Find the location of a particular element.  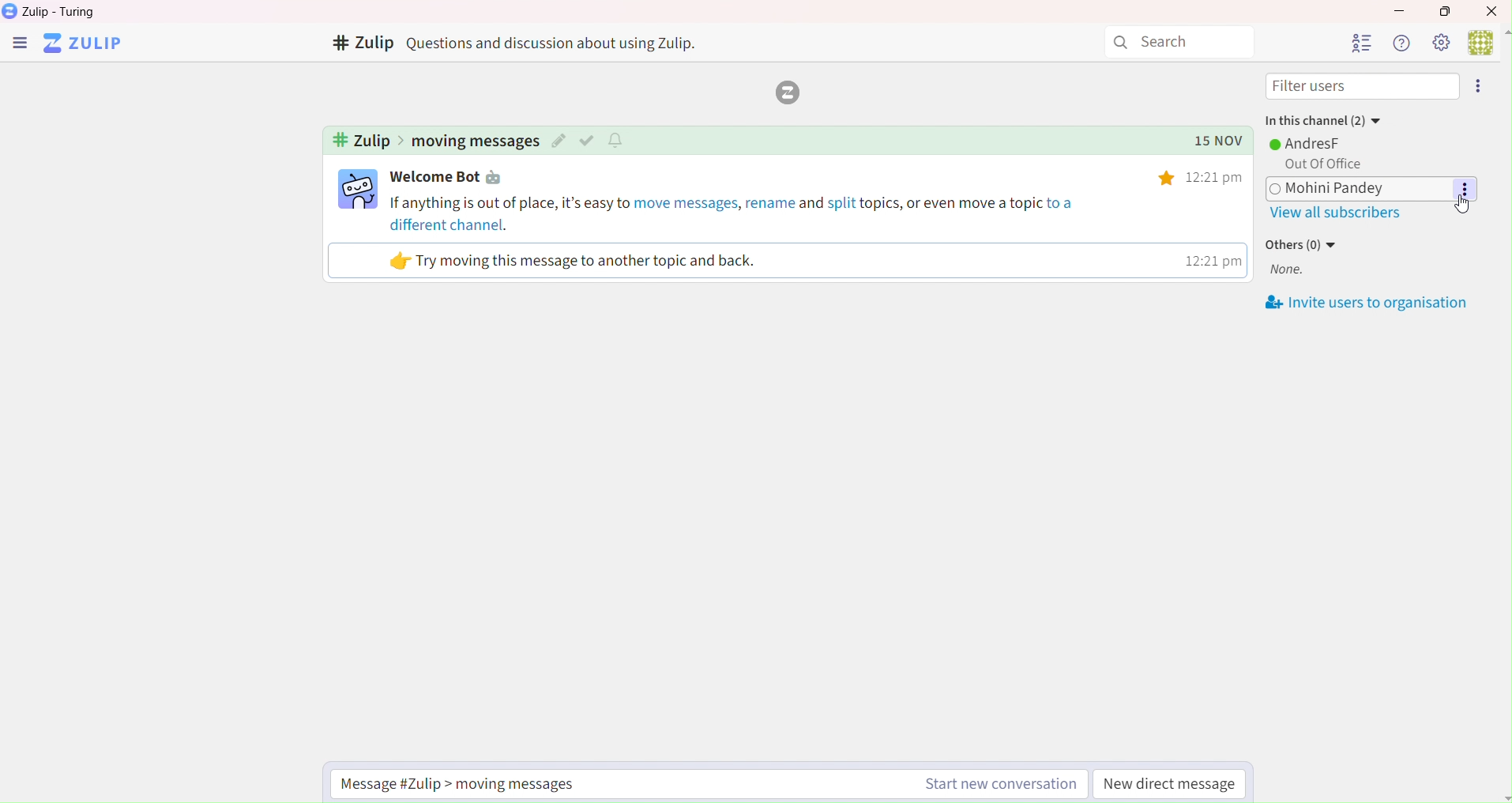

Box is located at coordinates (1450, 11).